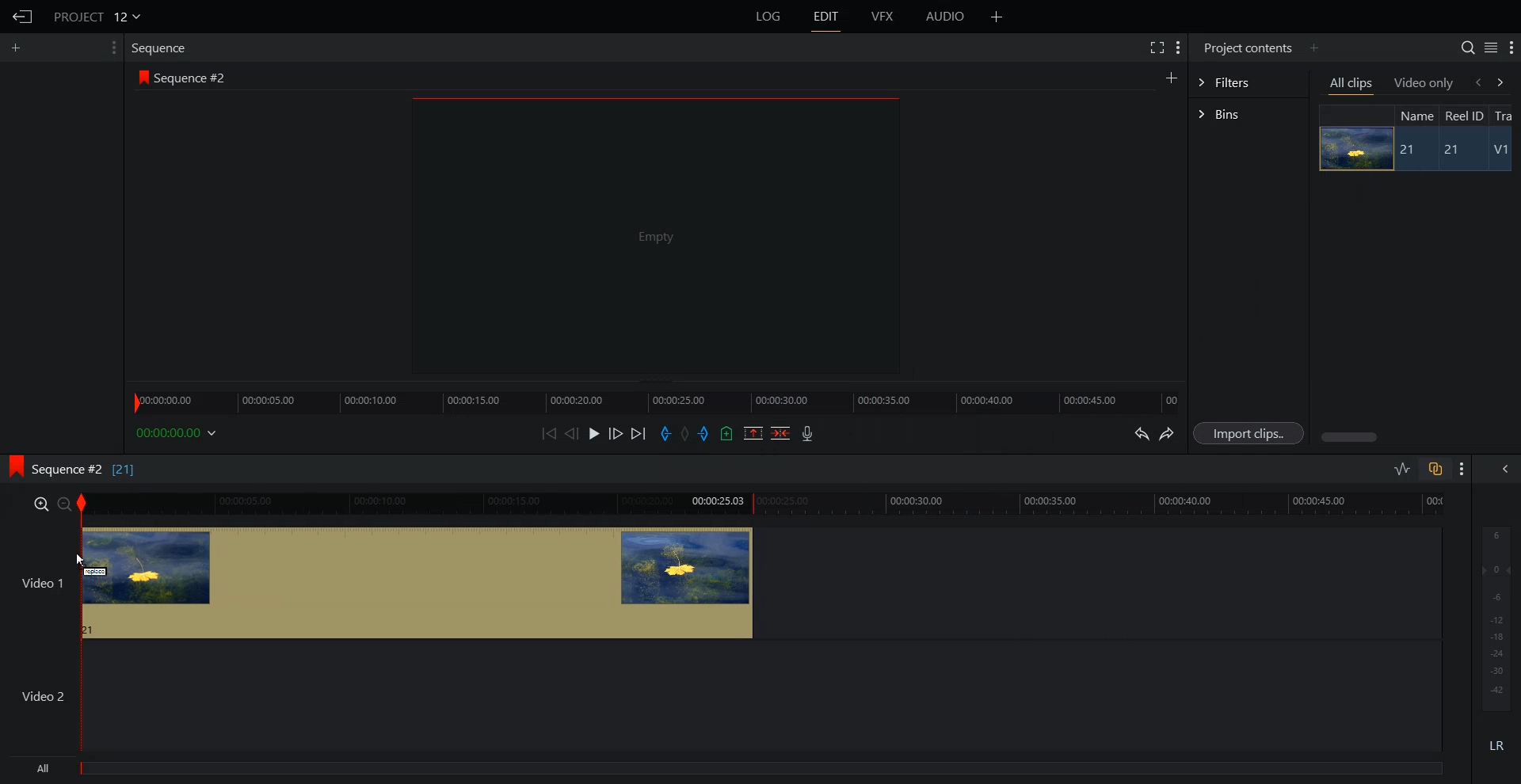 This screenshot has width=1521, height=784. Describe the element at coordinates (1501, 469) in the screenshot. I see `Show the full audio mix` at that location.